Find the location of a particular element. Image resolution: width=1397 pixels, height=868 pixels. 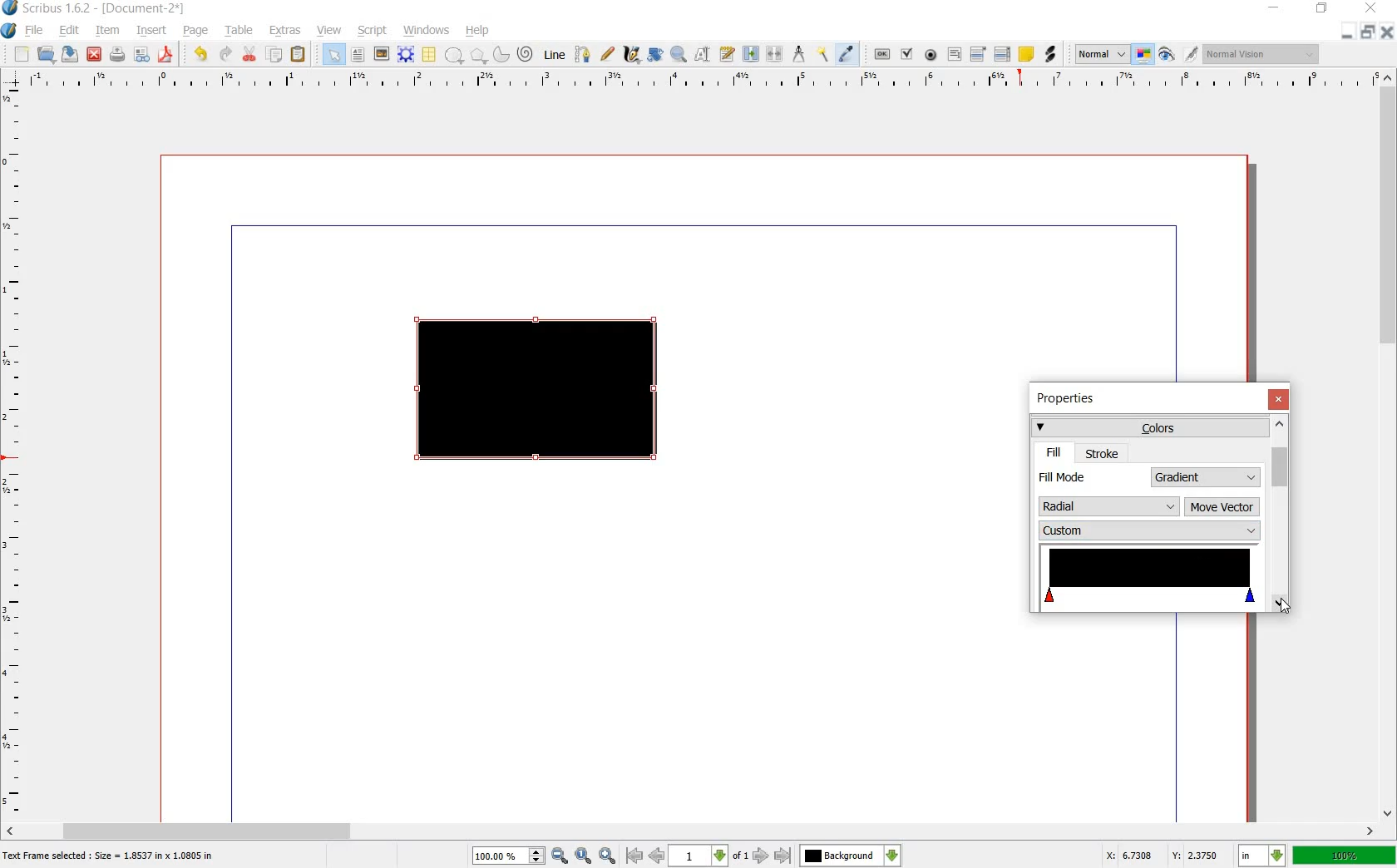

edit contents of frame is located at coordinates (703, 55).